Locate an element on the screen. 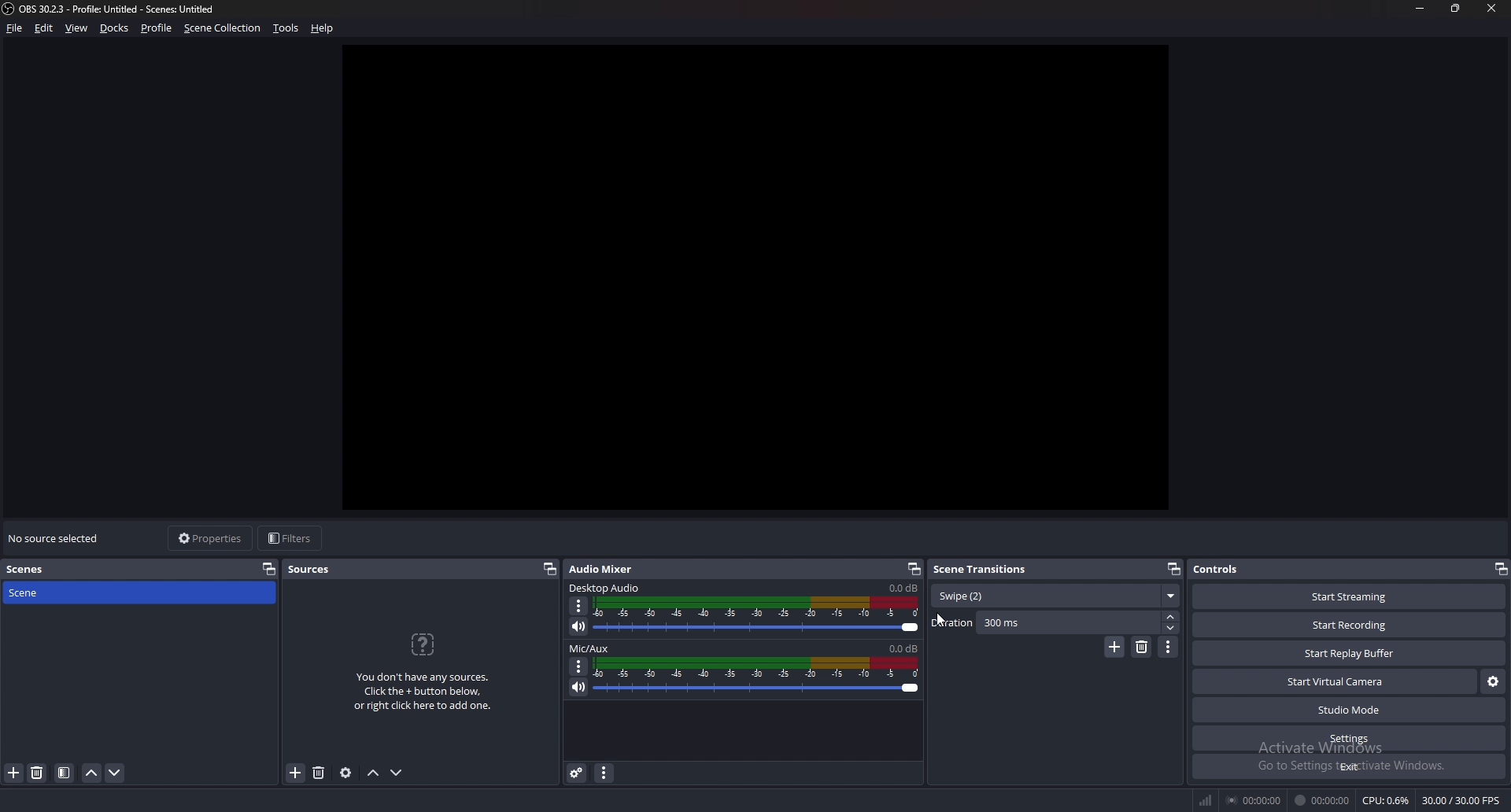 Image resolution: width=1511 pixels, height=812 pixels. add source is located at coordinates (295, 775).